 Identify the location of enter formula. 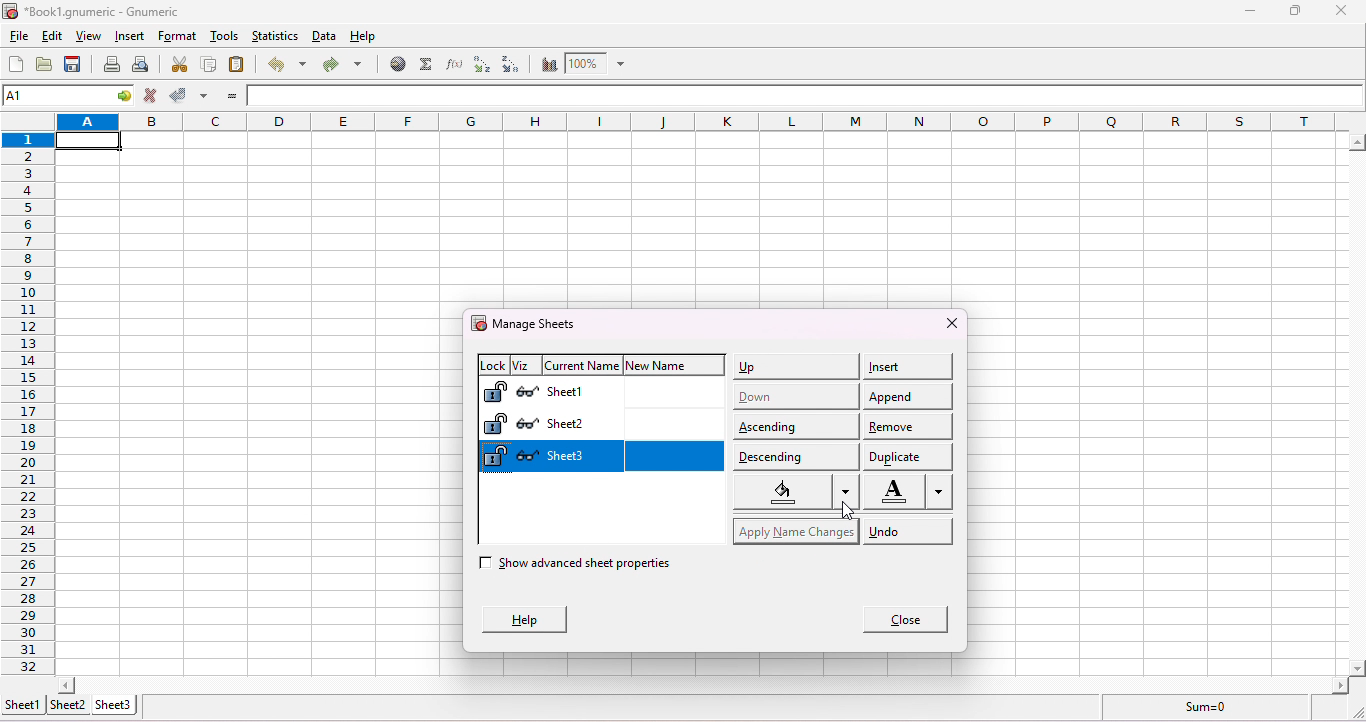
(228, 95).